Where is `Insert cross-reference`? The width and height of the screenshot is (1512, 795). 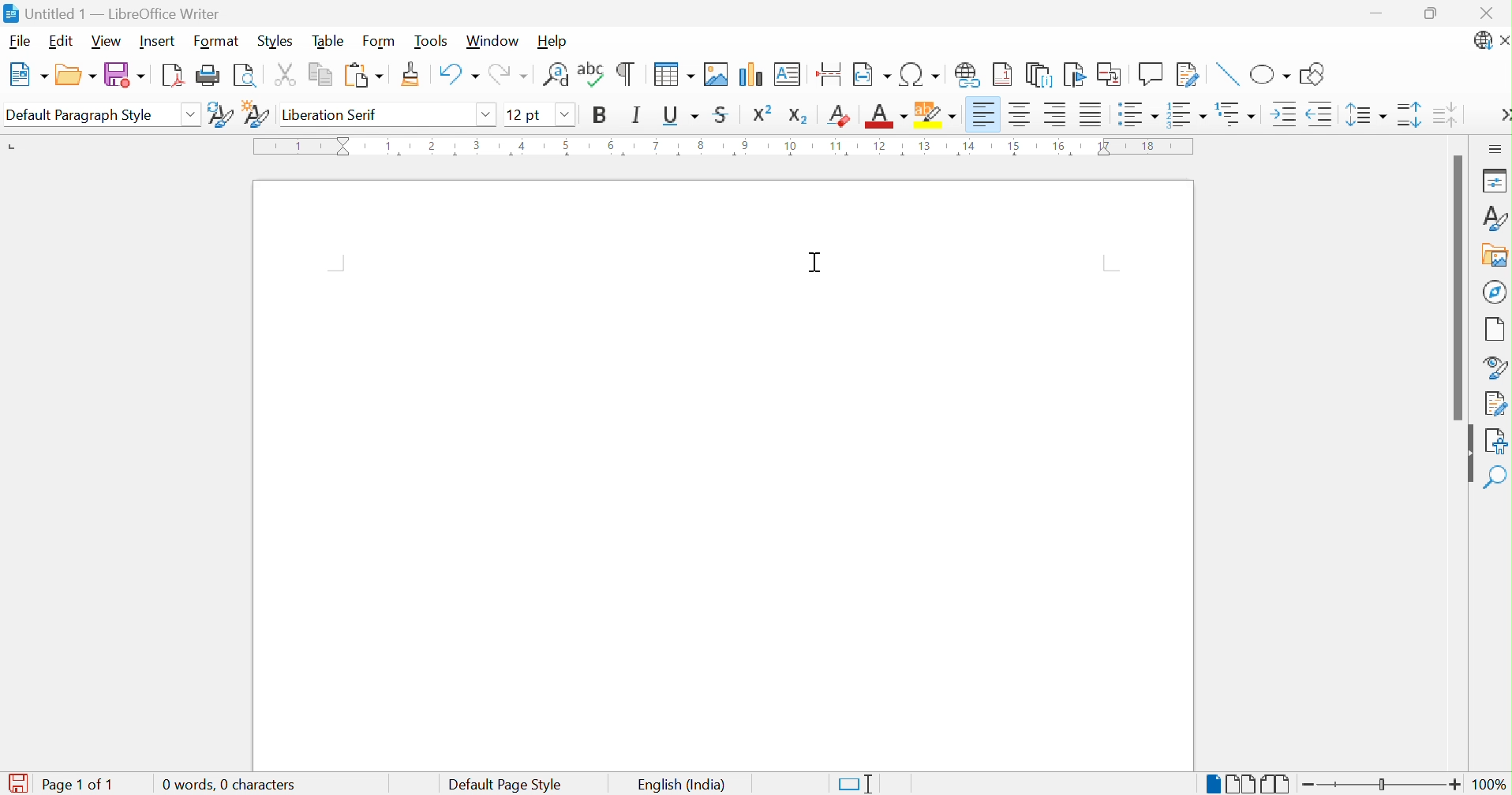
Insert cross-reference is located at coordinates (1111, 75).